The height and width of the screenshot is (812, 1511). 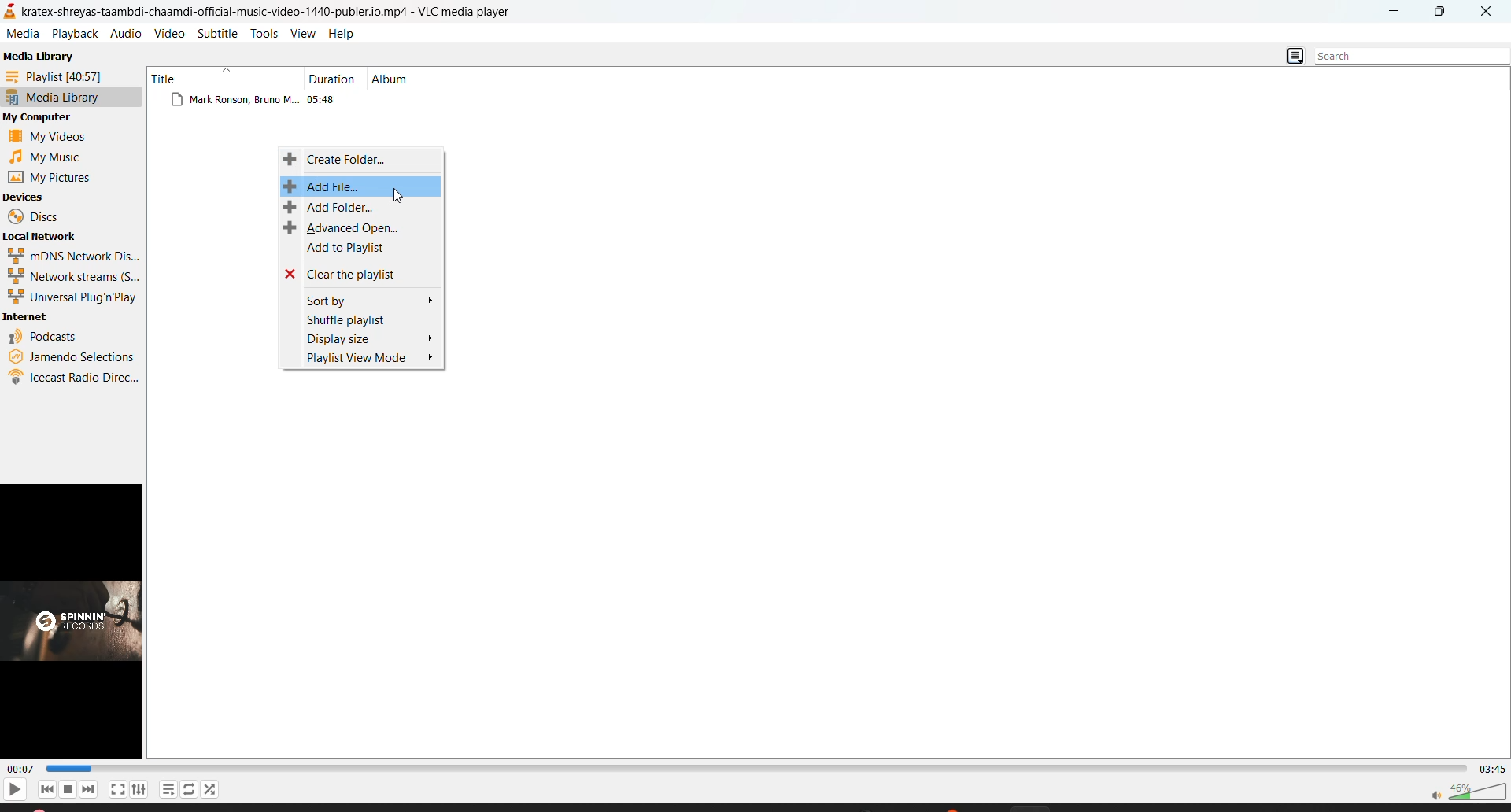 What do you see at coordinates (1468, 795) in the screenshot?
I see `volume` at bounding box center [1468, 795].